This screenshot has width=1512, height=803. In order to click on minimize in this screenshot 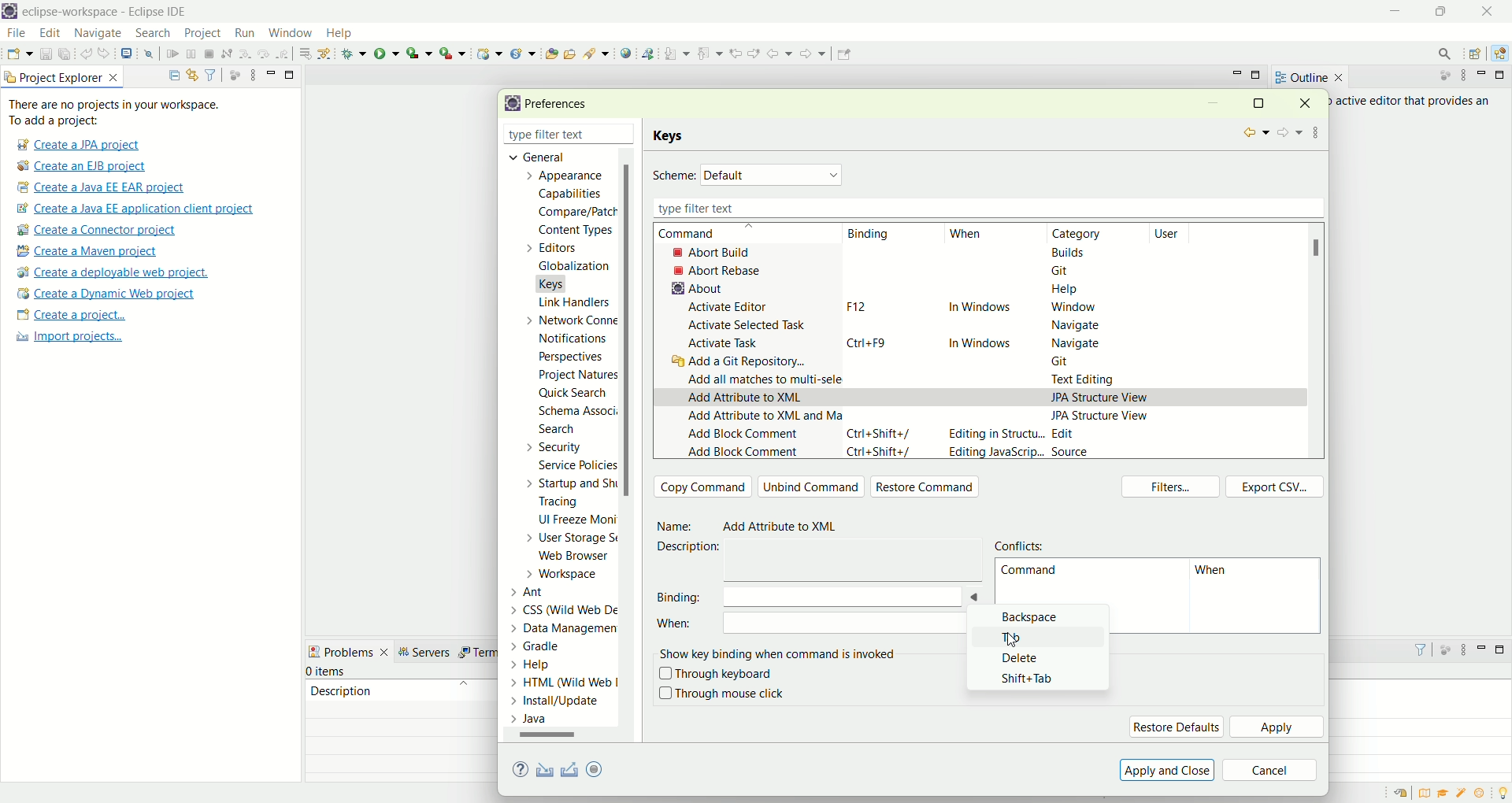, I will do `click(271, 72)`.